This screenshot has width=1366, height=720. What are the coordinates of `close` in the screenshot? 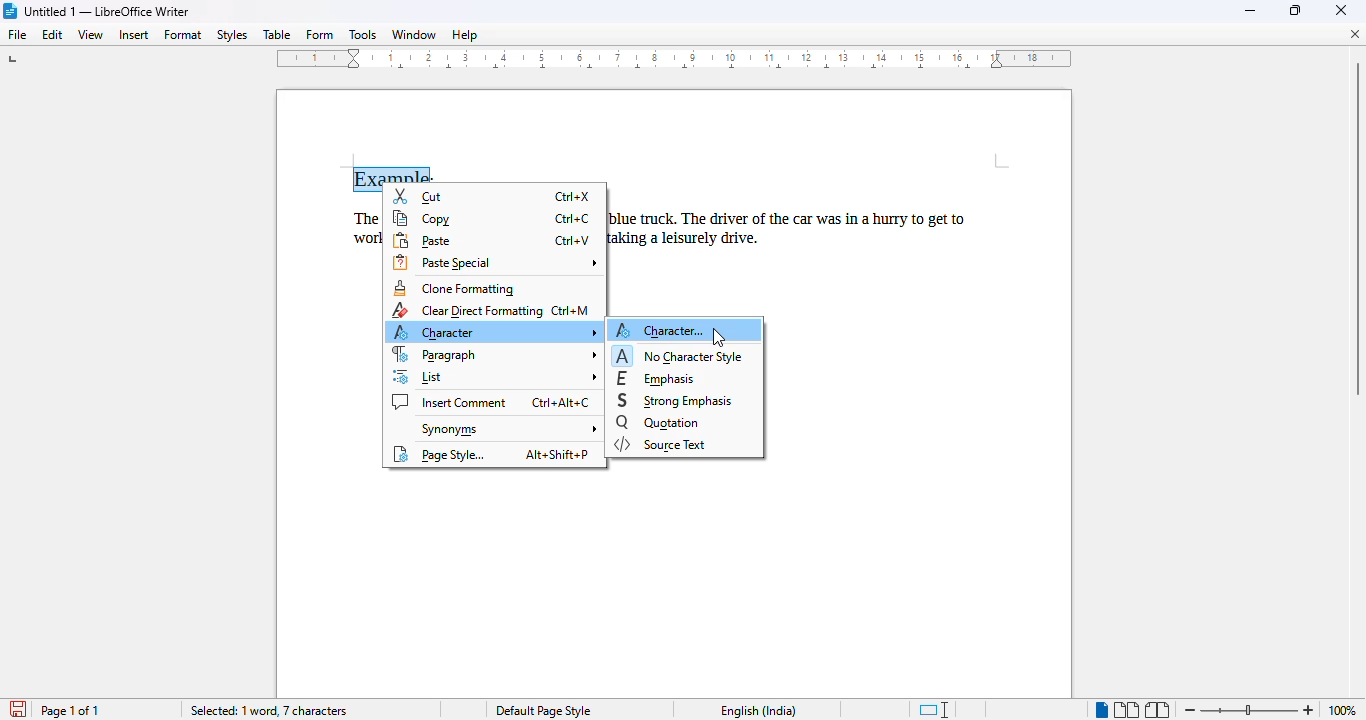 It's located at (1340, 11).